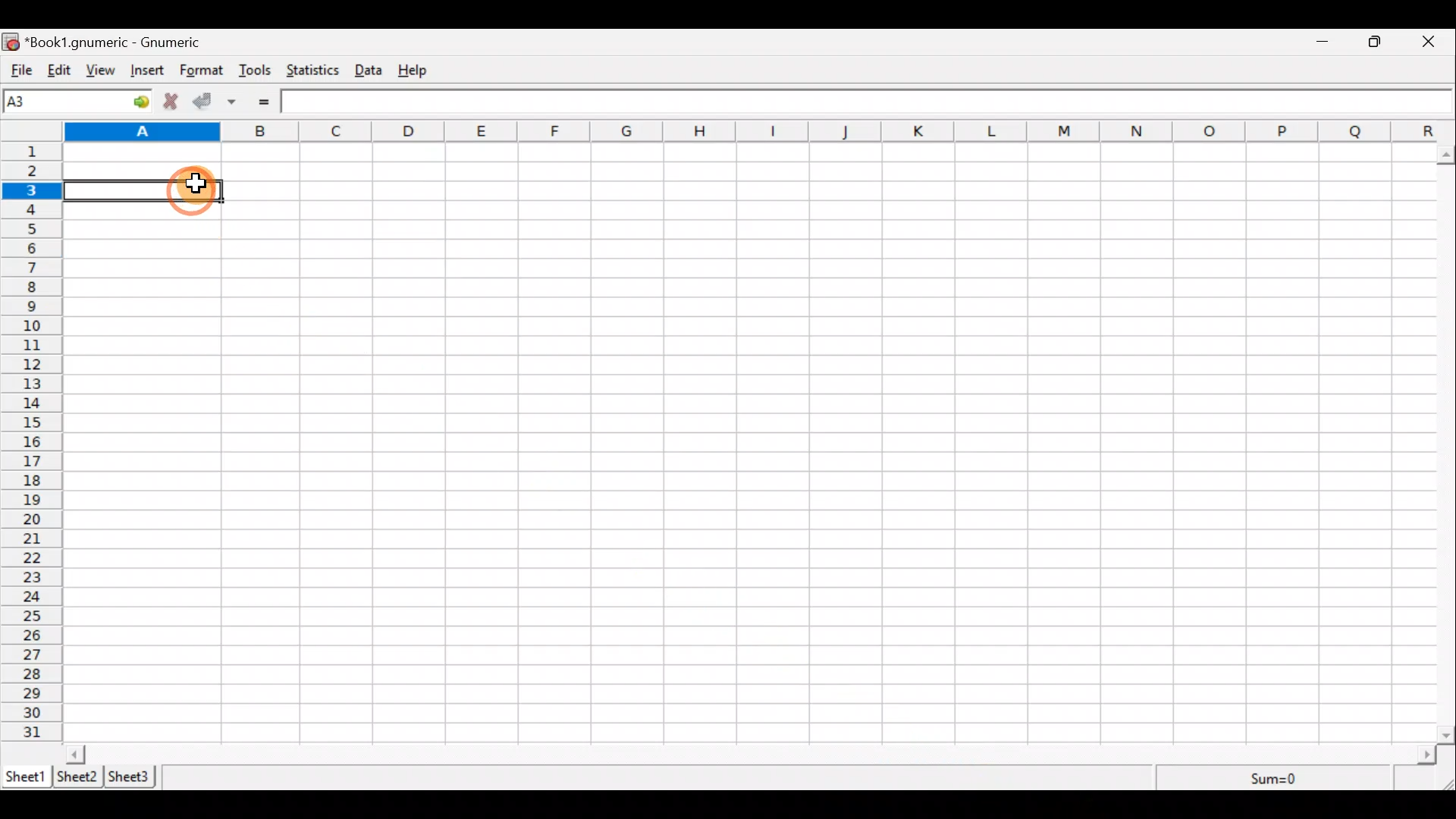 The image size is (1456, 819). Describe the element at coordinates (420, 71) in the screenshot. I see `Help` at that location.